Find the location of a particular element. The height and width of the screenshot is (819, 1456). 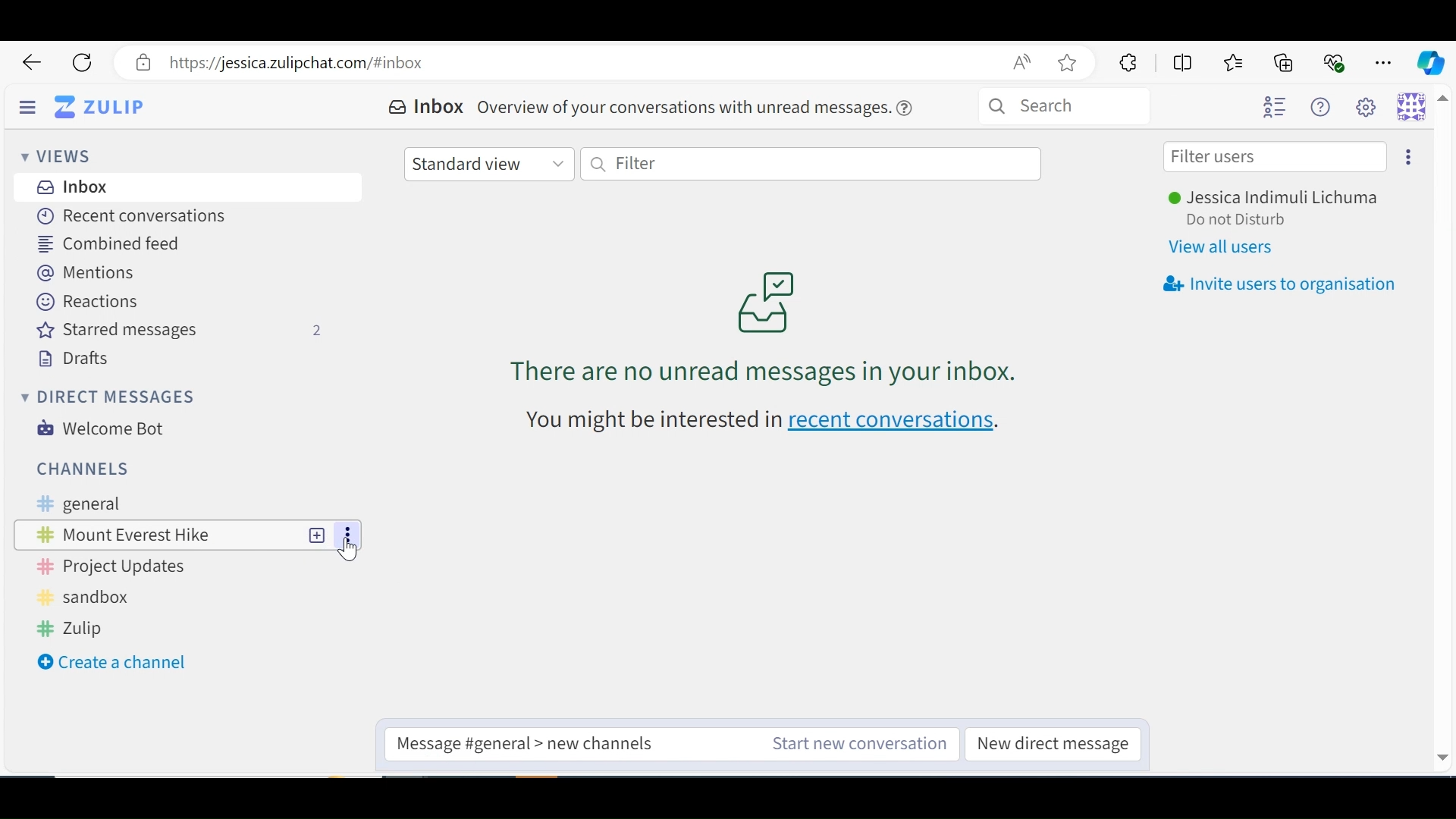

Starred messages is located at coordinates (181, 331).